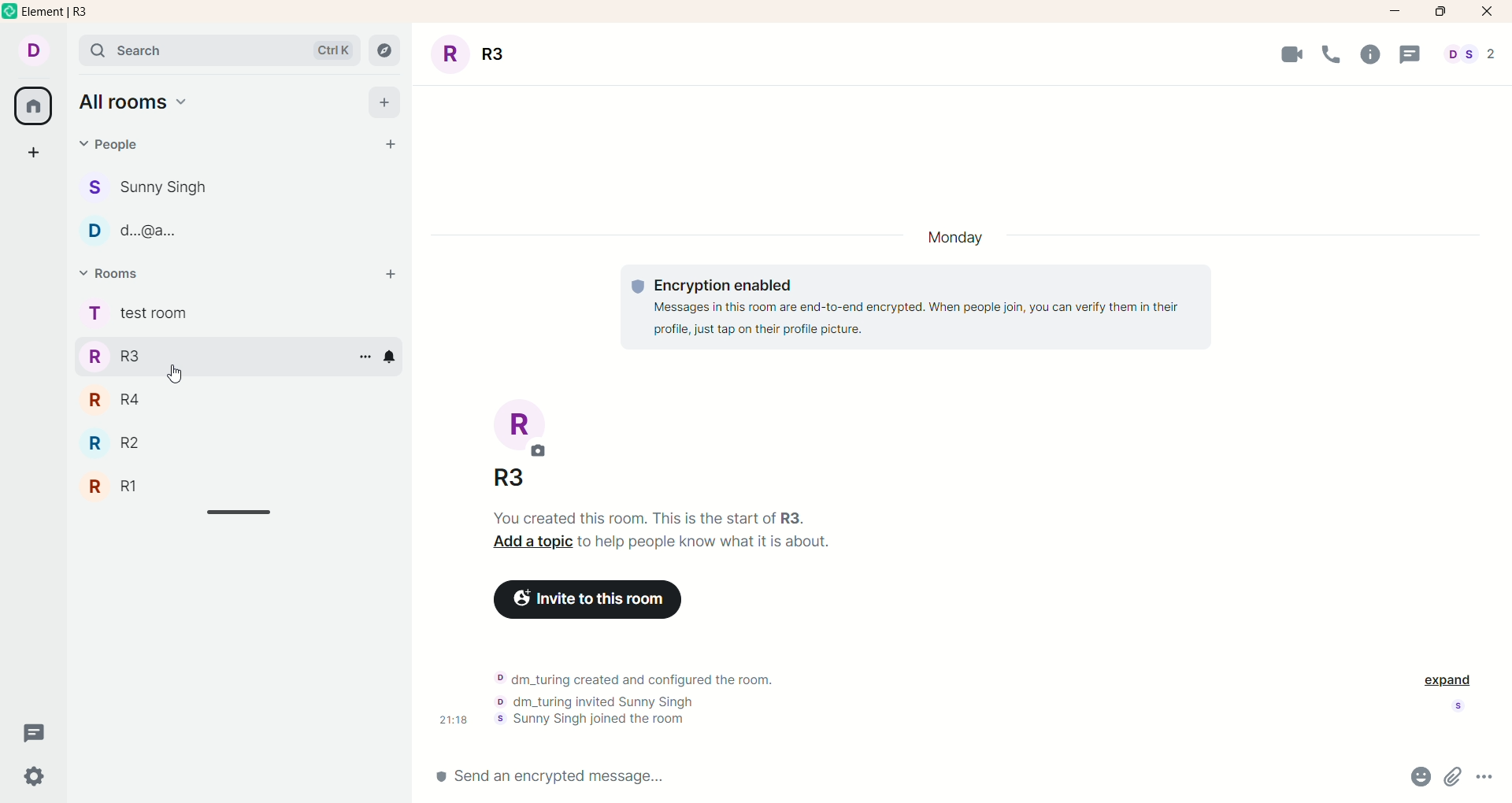  Describe the element at coordinates (636, 701) in the screenshot. I see `text` at that location.